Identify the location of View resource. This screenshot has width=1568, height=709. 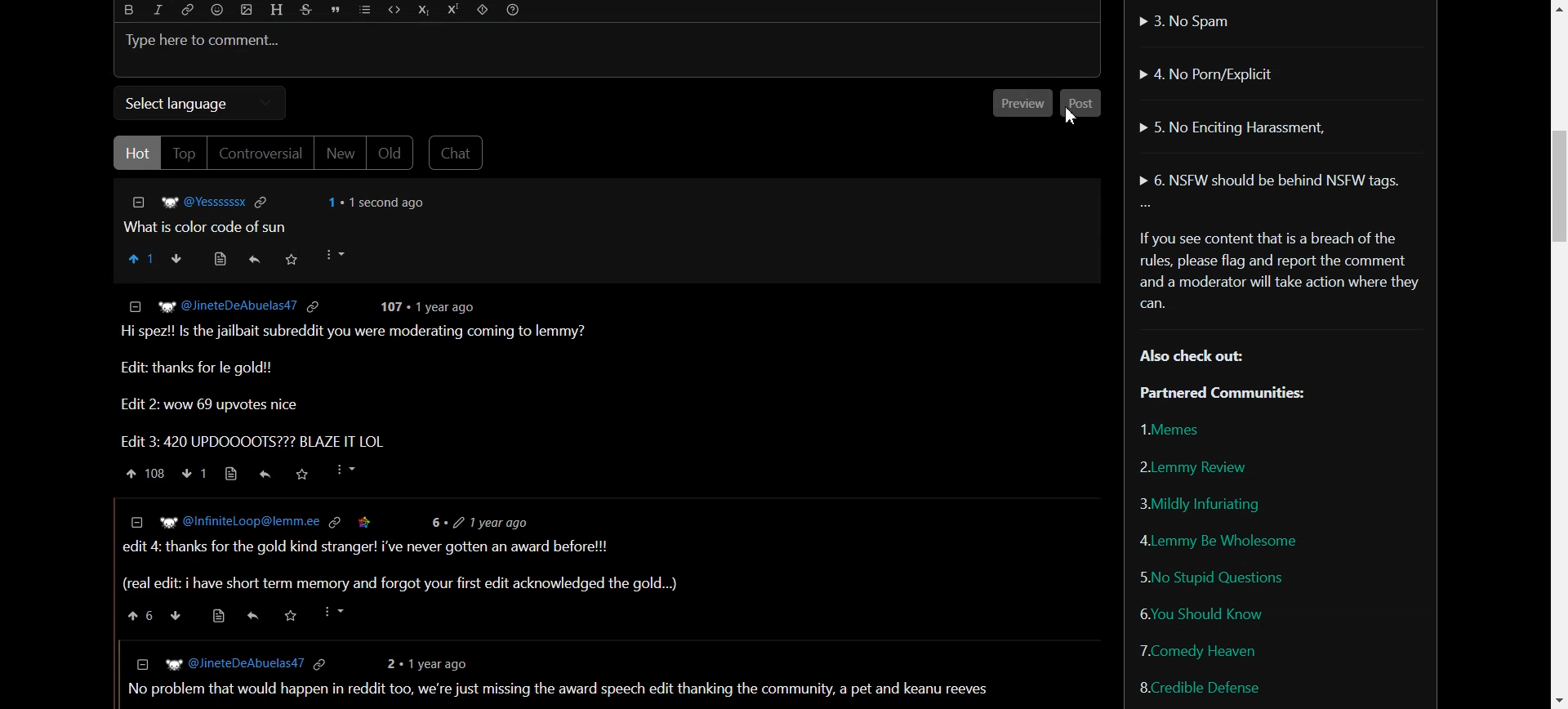
(219, 259).